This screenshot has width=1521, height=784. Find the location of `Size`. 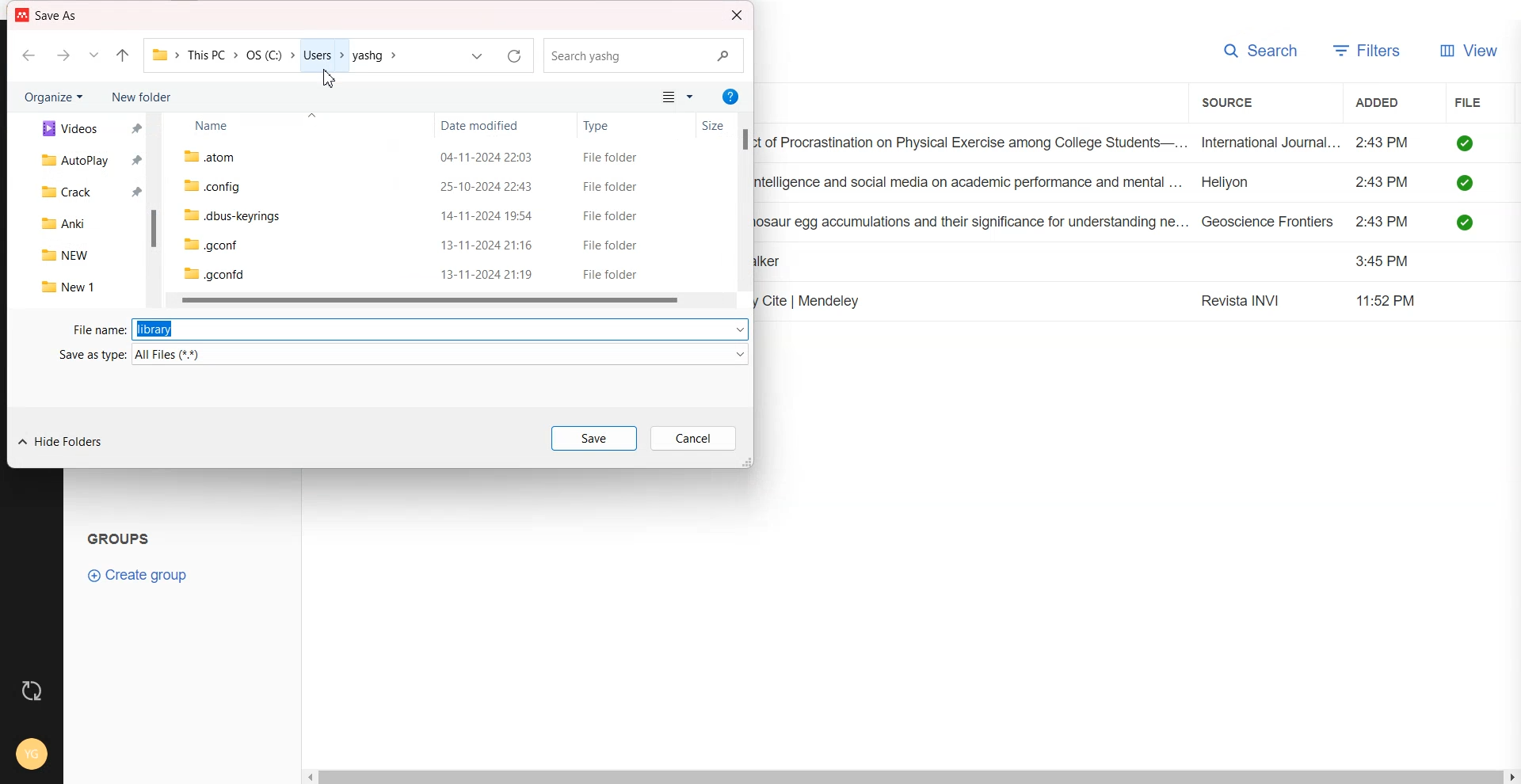

Size is located at coordinates (715, 126).